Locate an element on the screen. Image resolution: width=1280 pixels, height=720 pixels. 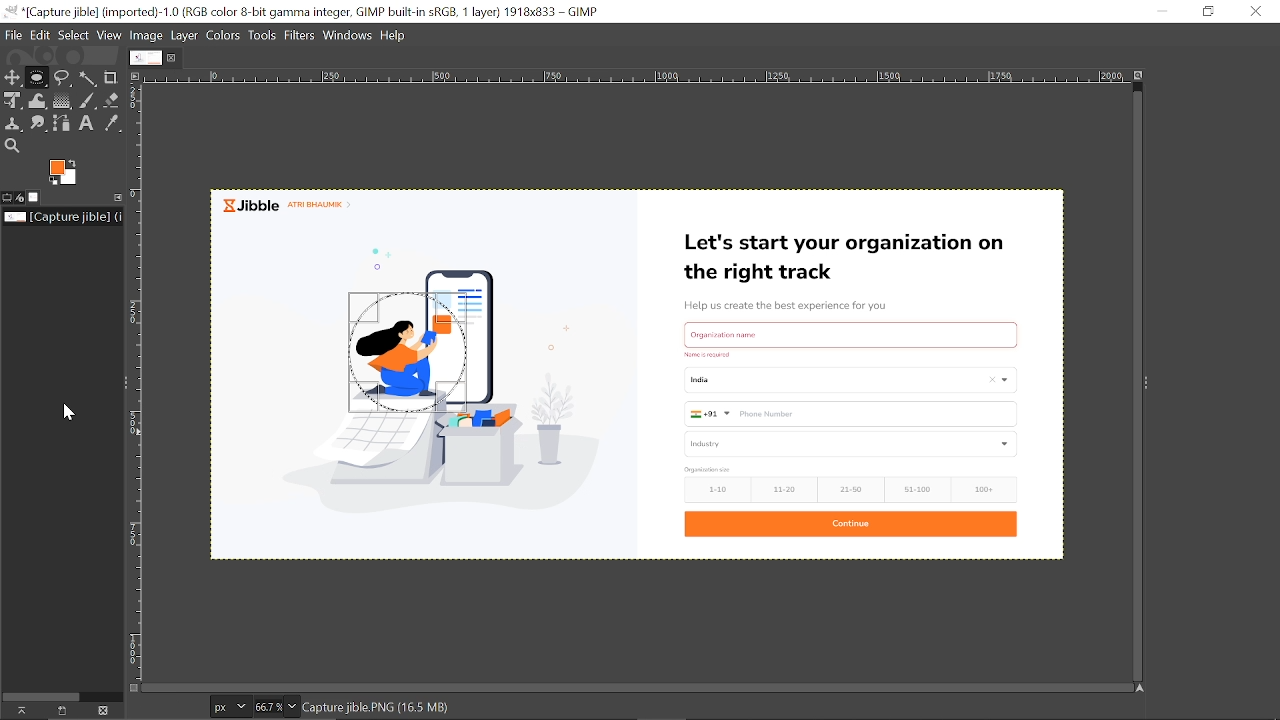
Zoom options is located at coordinates (290, 704).